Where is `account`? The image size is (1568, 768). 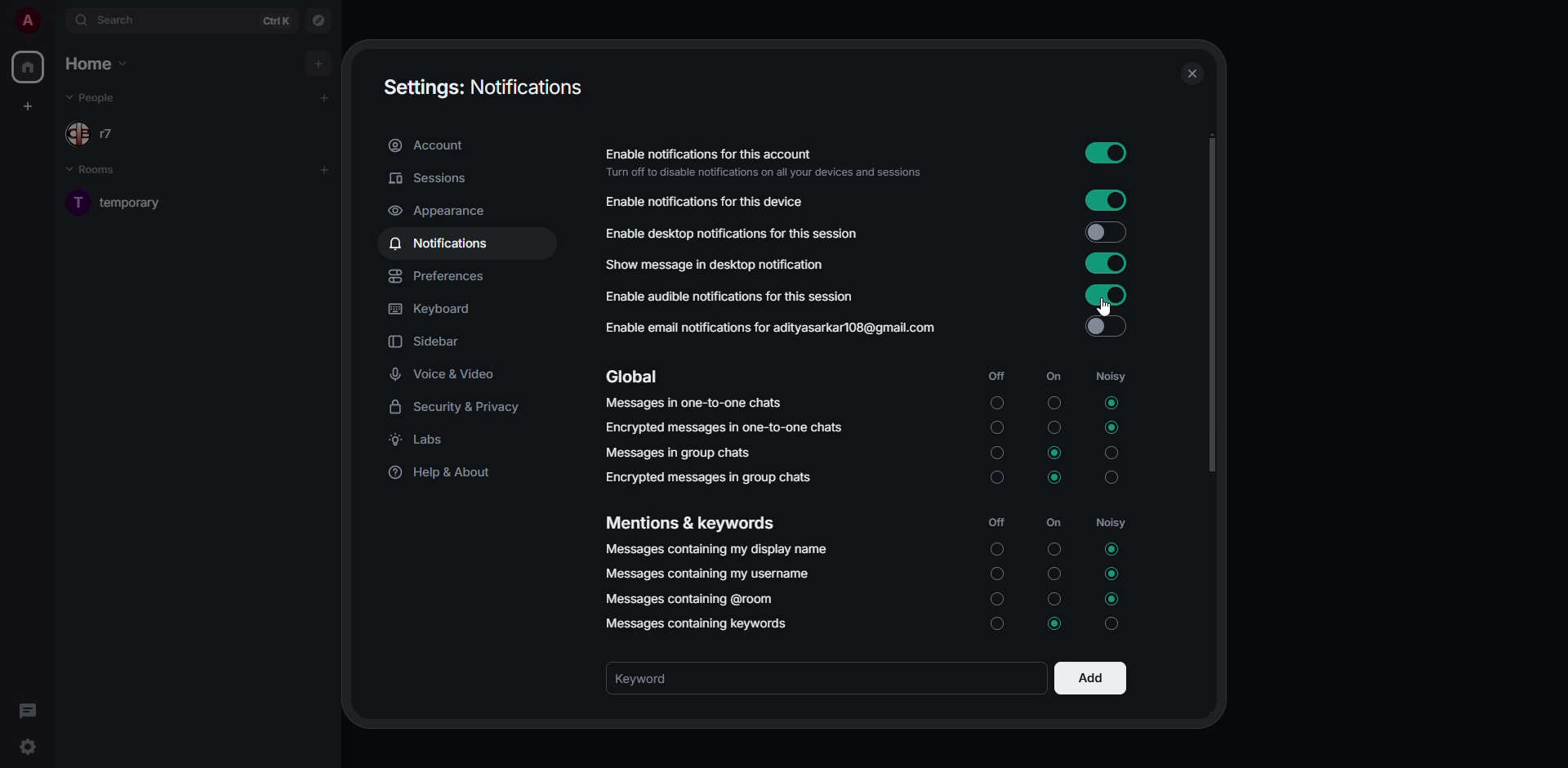
account is located at coordinates (430, 147).